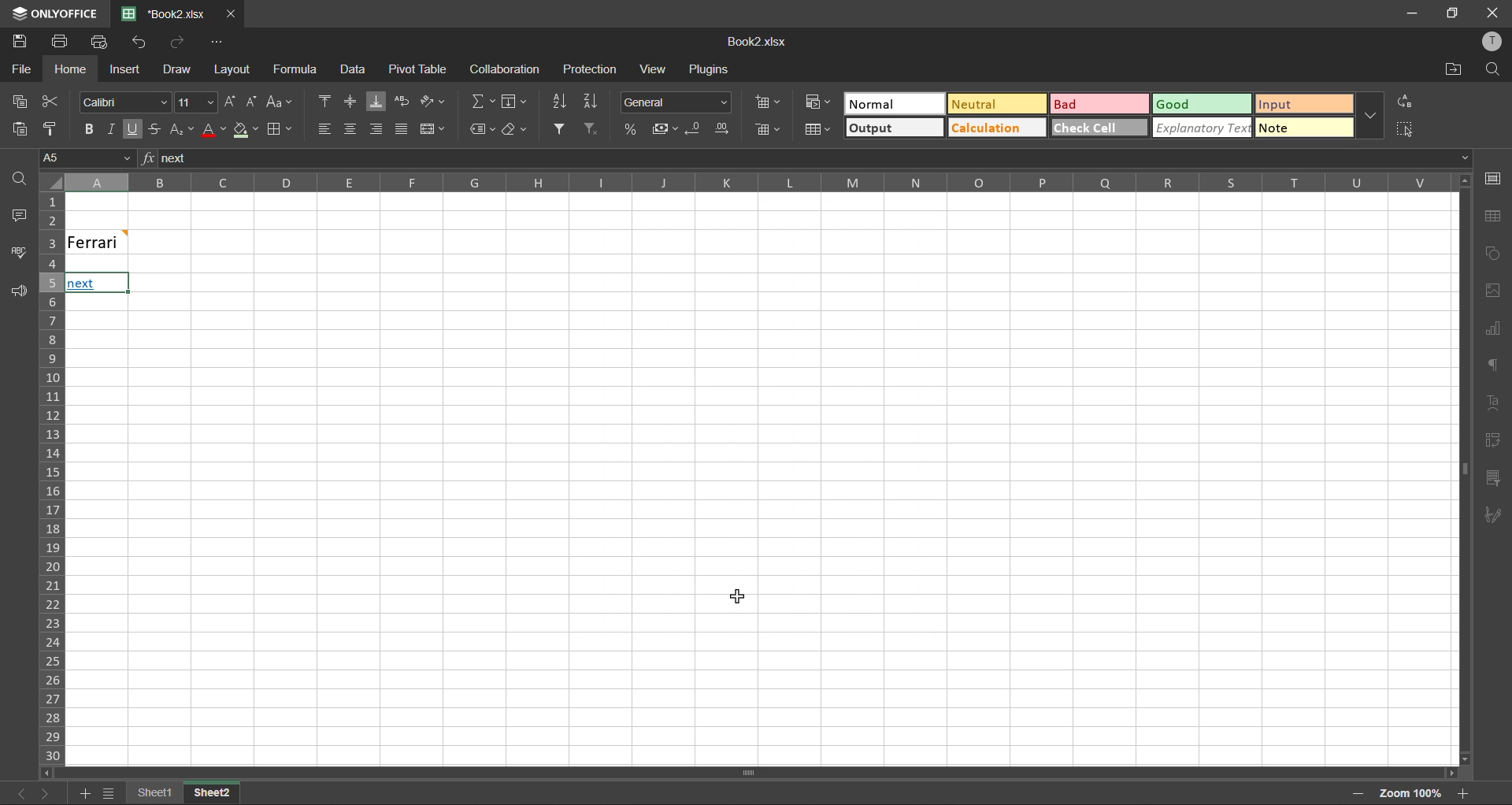 This screenshot has height=805, width=1512. I want to click on align left, so click(324, 127).